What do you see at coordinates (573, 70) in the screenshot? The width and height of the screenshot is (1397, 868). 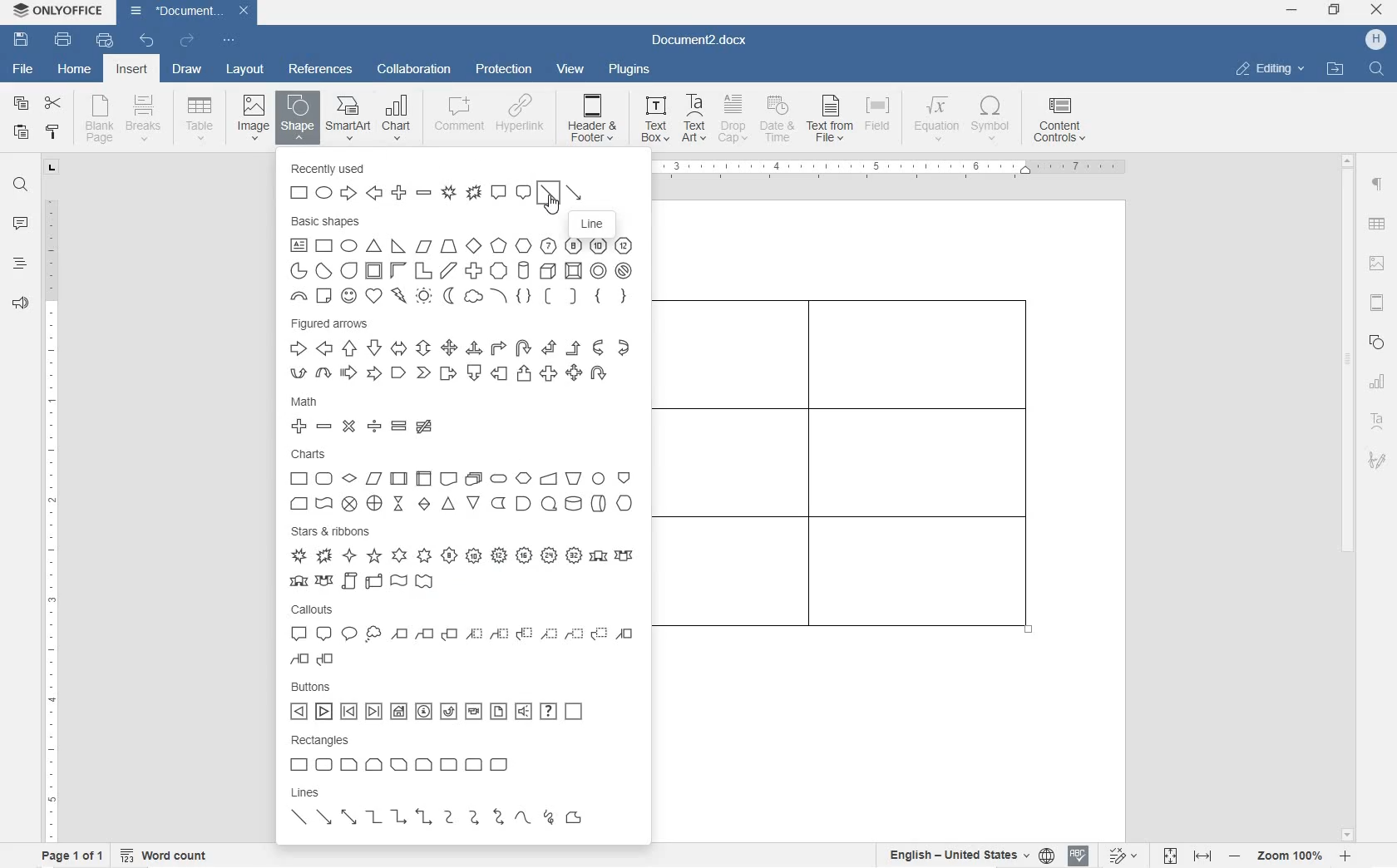 I see `view` at bounding box center [573, 70].